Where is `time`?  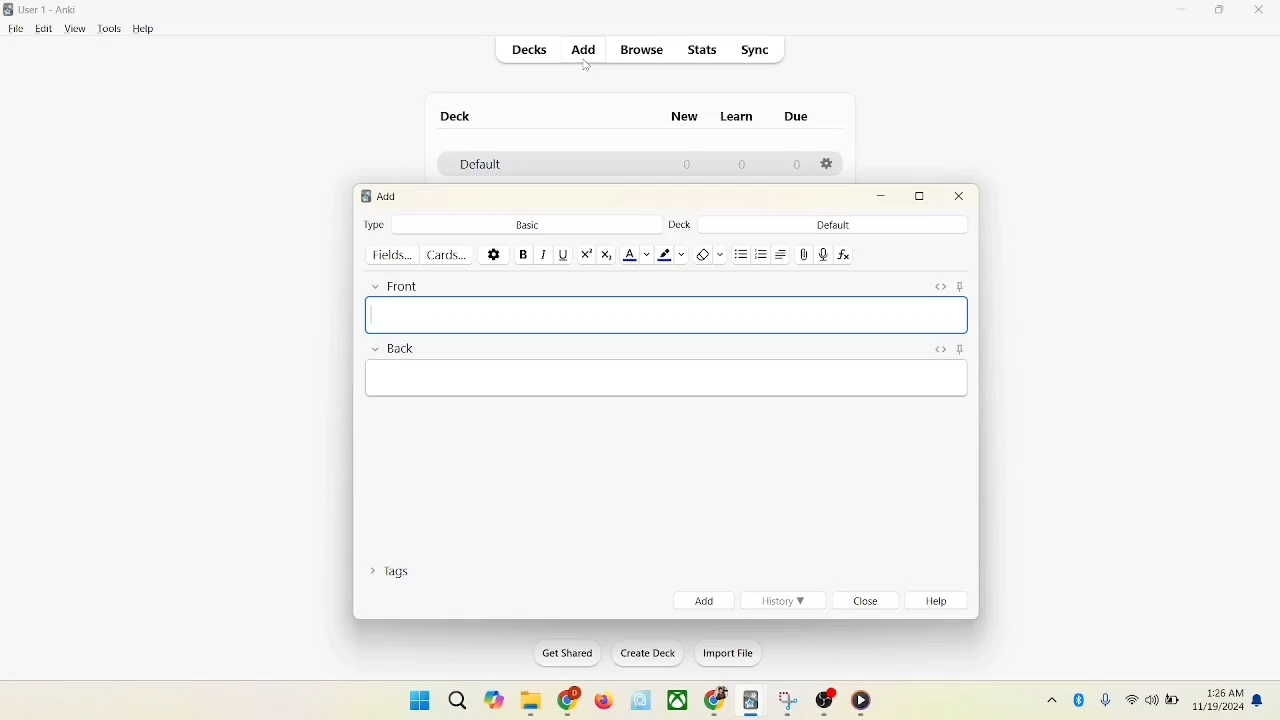 time is located at coordinates (1221, 690).